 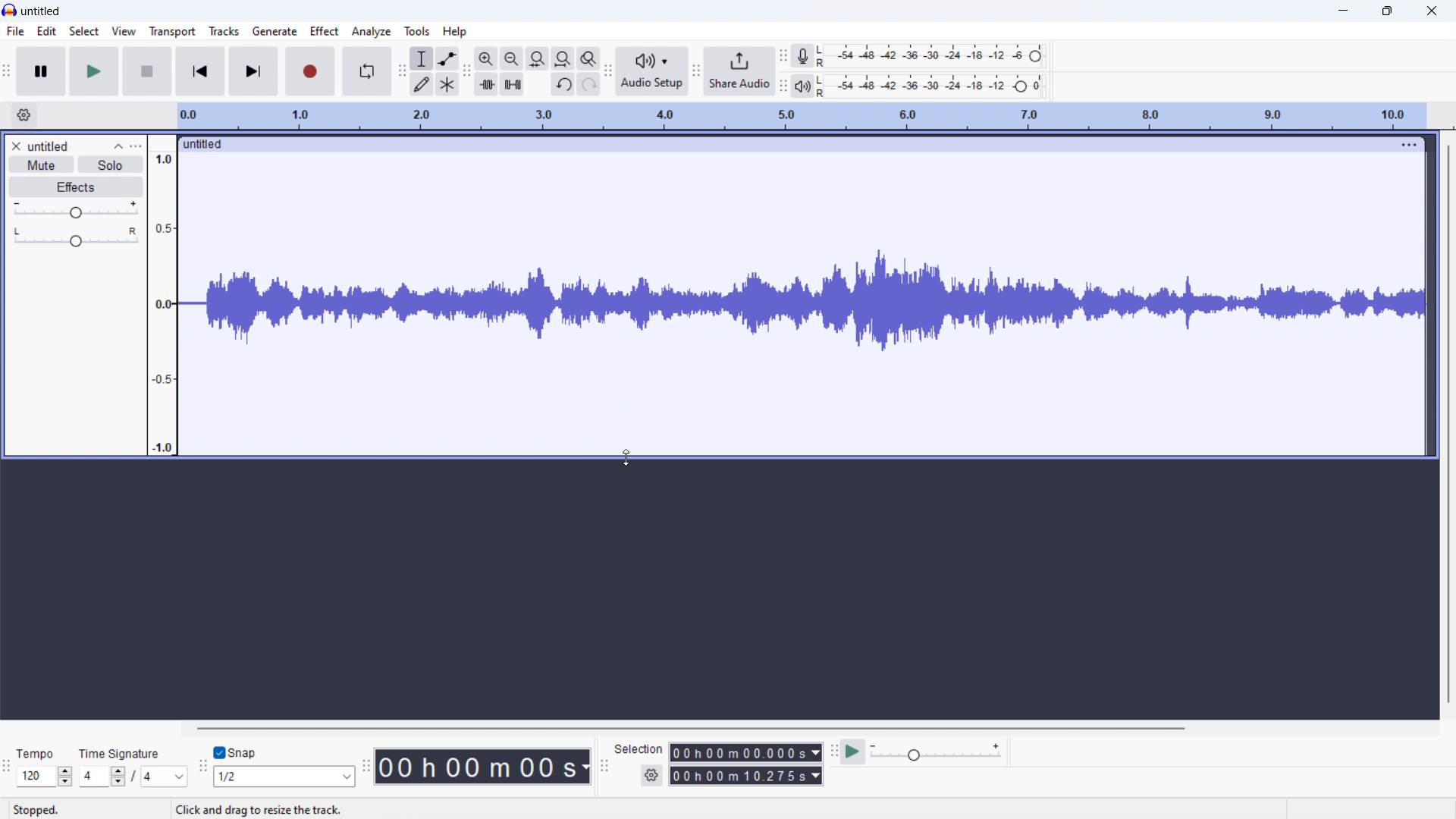 I want to click on timeline settings, so click(x=24, y=115).